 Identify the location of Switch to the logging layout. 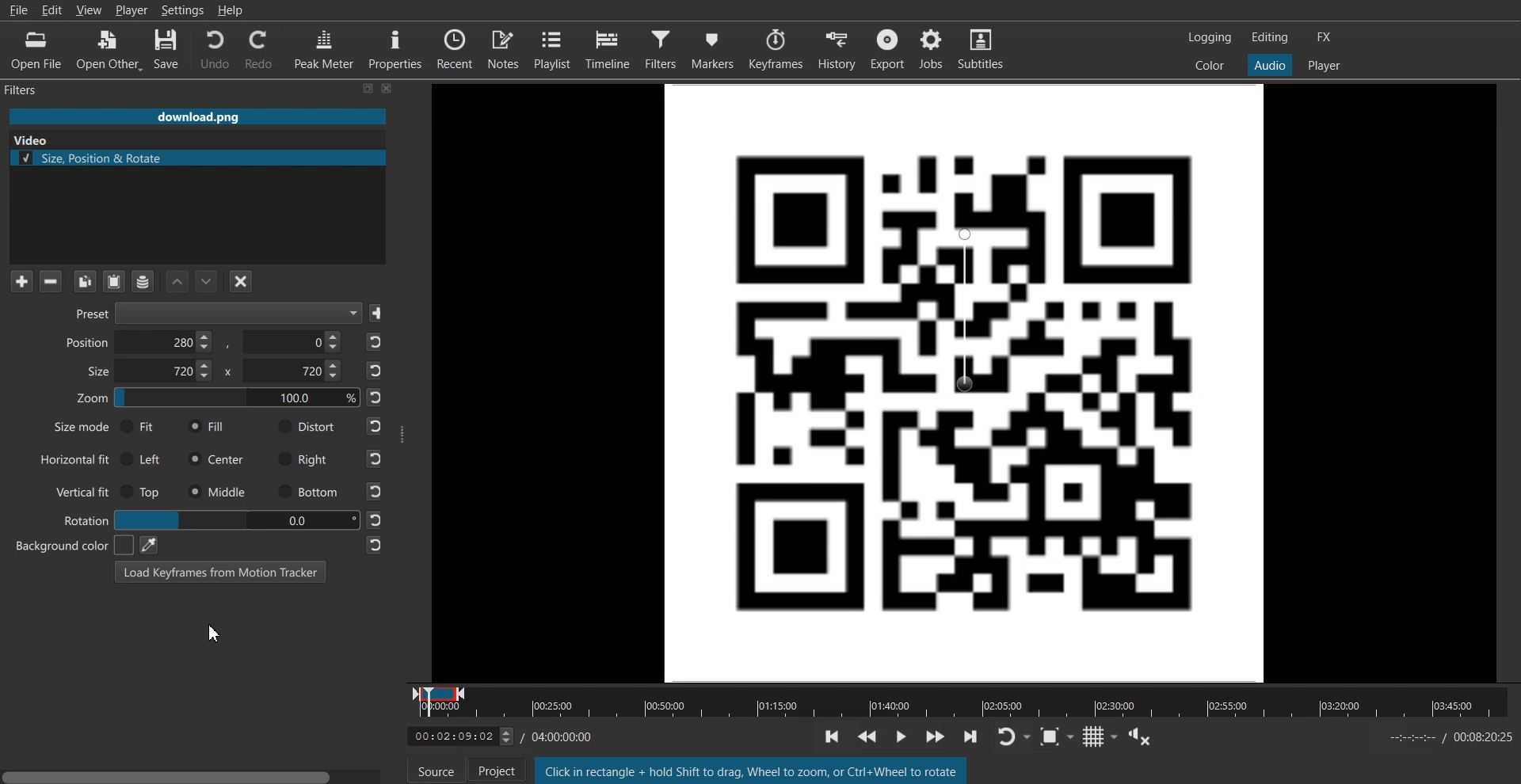
(1210, 38).